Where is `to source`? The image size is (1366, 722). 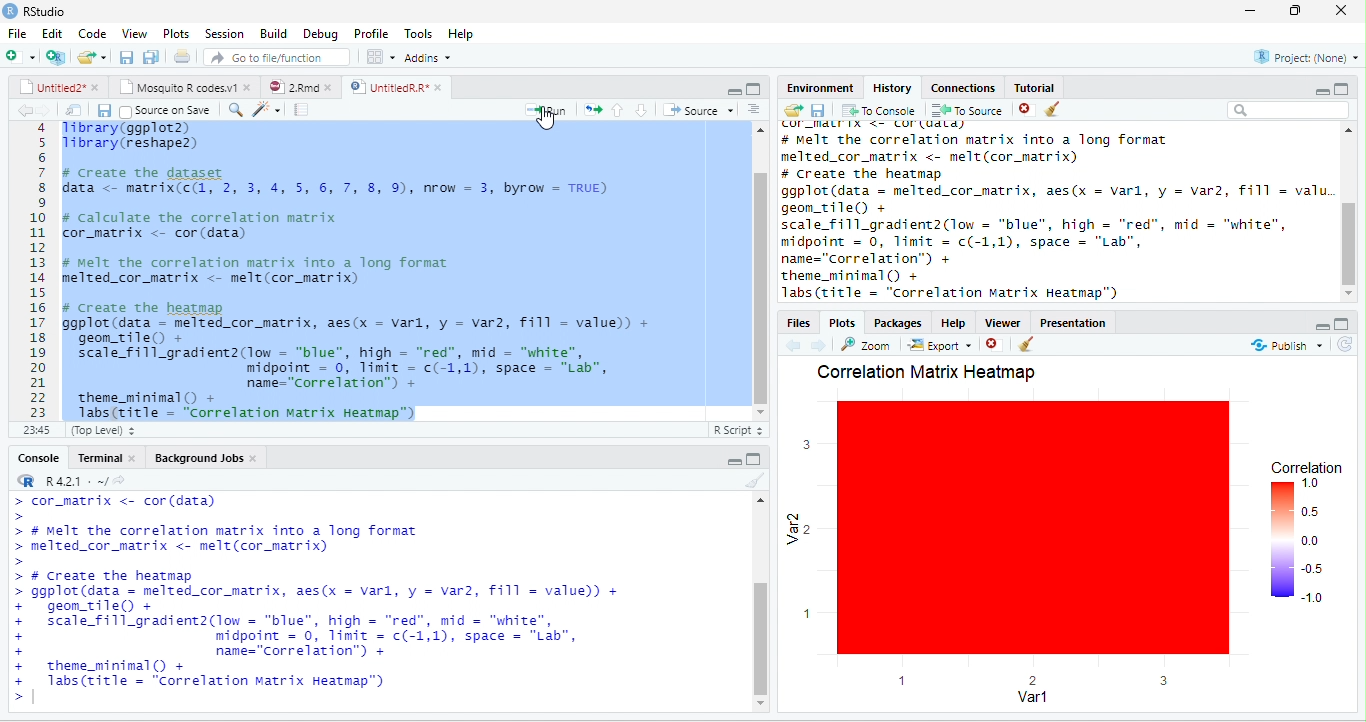 to source is located at coordinates (965, 111).